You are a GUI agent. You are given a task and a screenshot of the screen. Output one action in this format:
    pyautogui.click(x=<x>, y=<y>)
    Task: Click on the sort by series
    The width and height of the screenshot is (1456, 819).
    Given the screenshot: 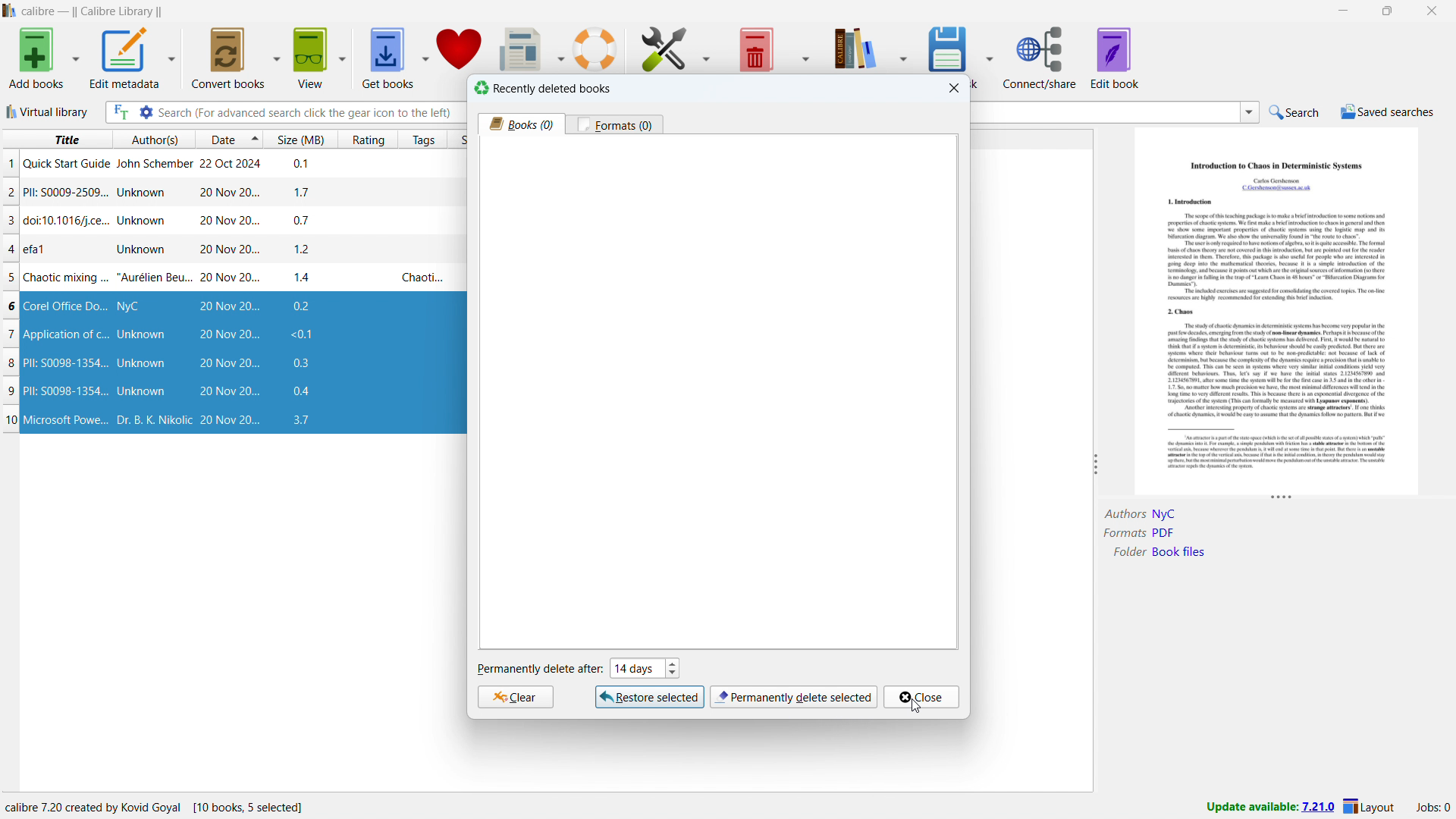 What is the action you would take?
    pyautogui.click(x=455, y=140)
    